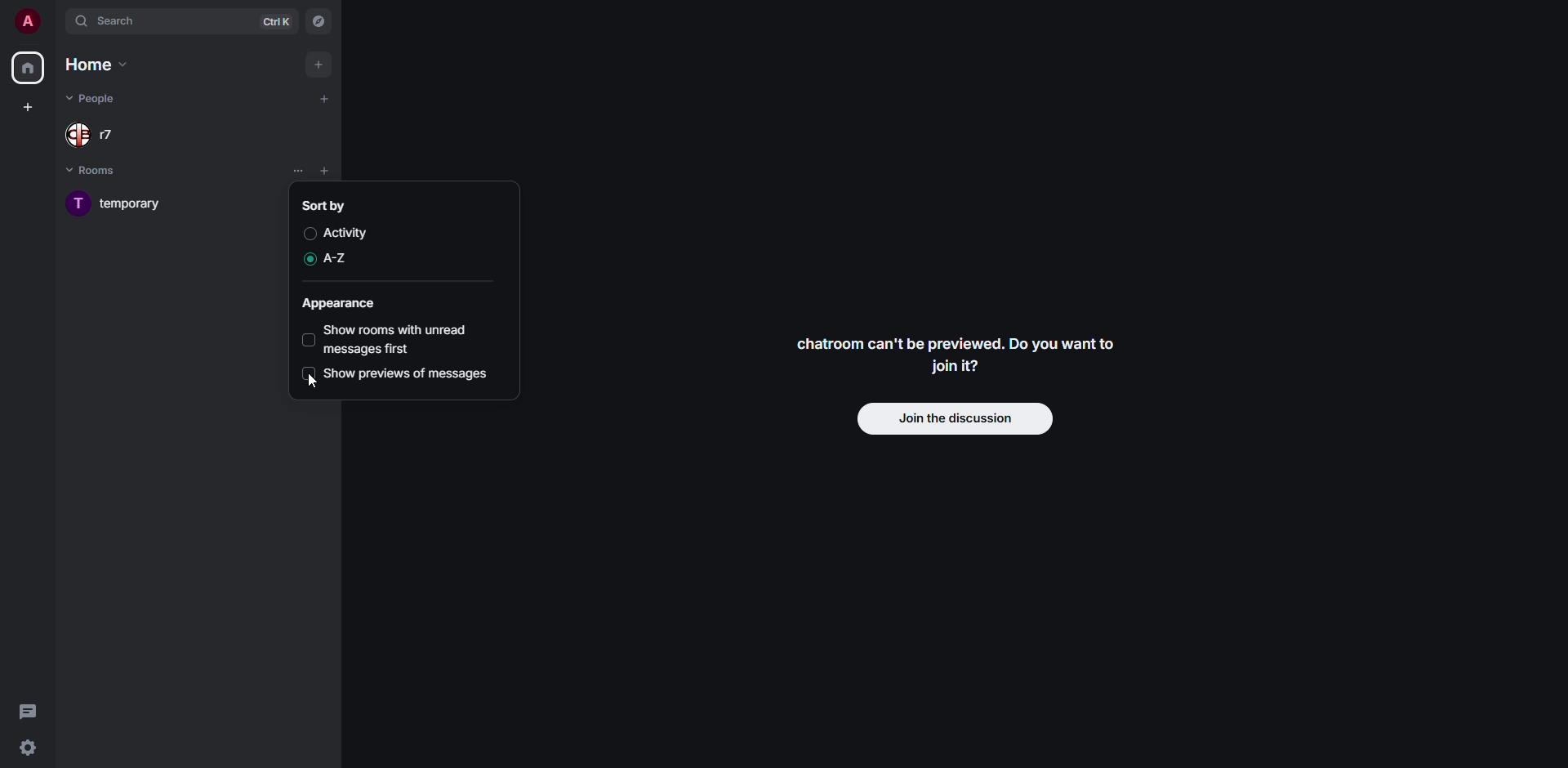 This screenshot has width=1568, height=768. Describe the element at coordinates (100, 65) in the screenshot. I see `home` at that location.